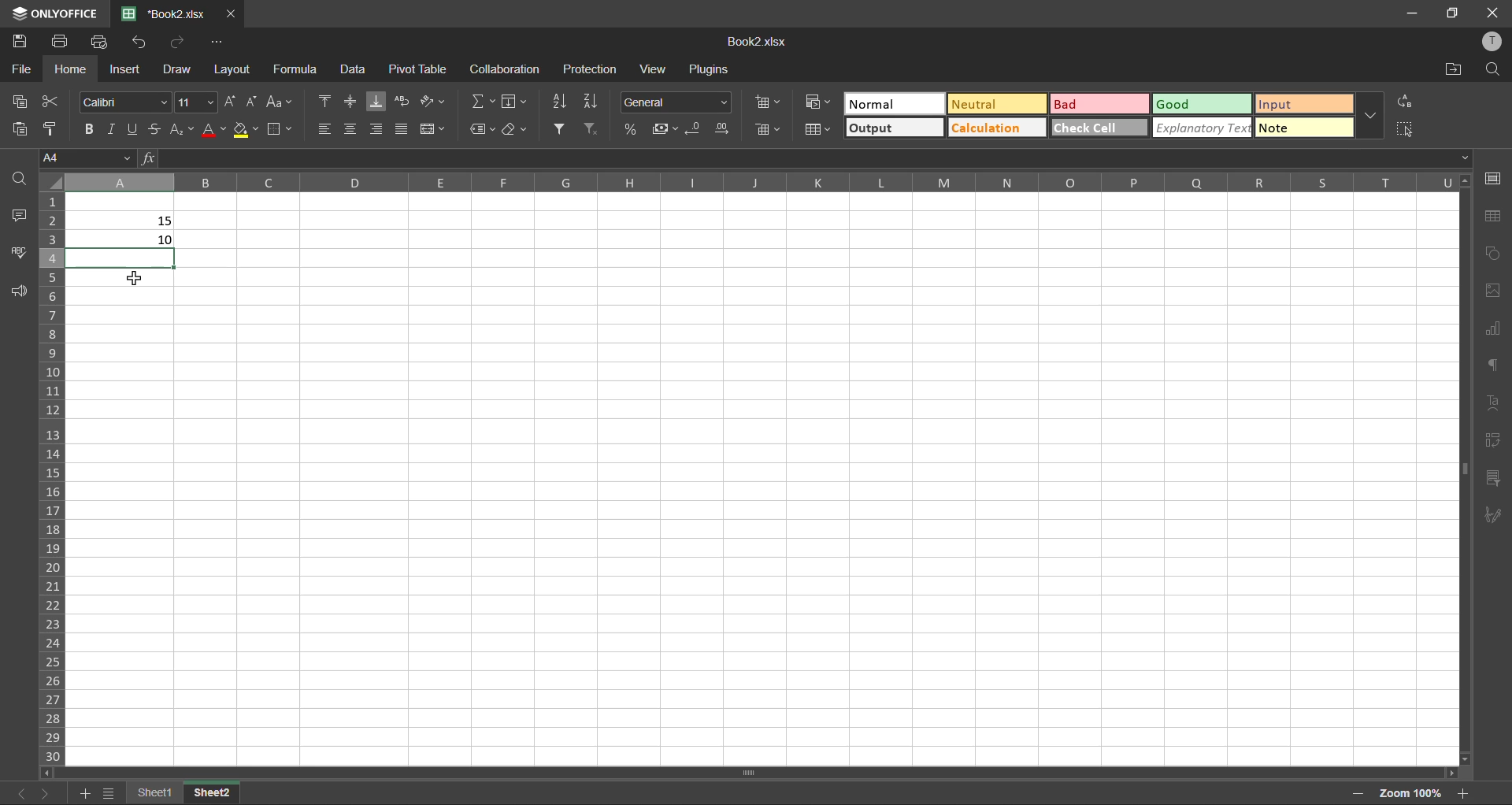  What do you see at coordinates (1451, 68) in the screenshot?
I see `open location` at bounding box center [1451, 68].